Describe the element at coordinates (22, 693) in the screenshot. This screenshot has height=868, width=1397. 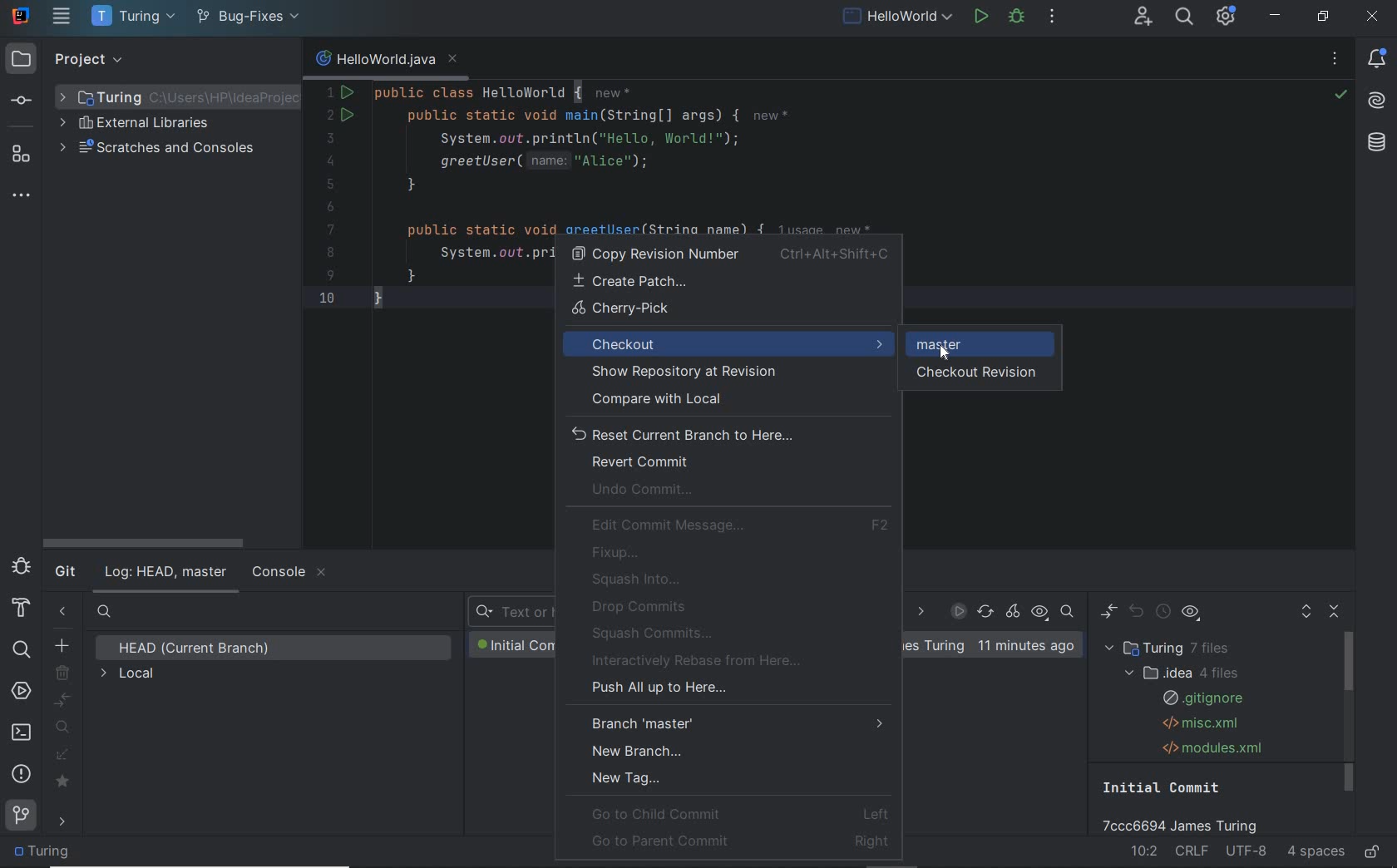
I see `services` at that location.